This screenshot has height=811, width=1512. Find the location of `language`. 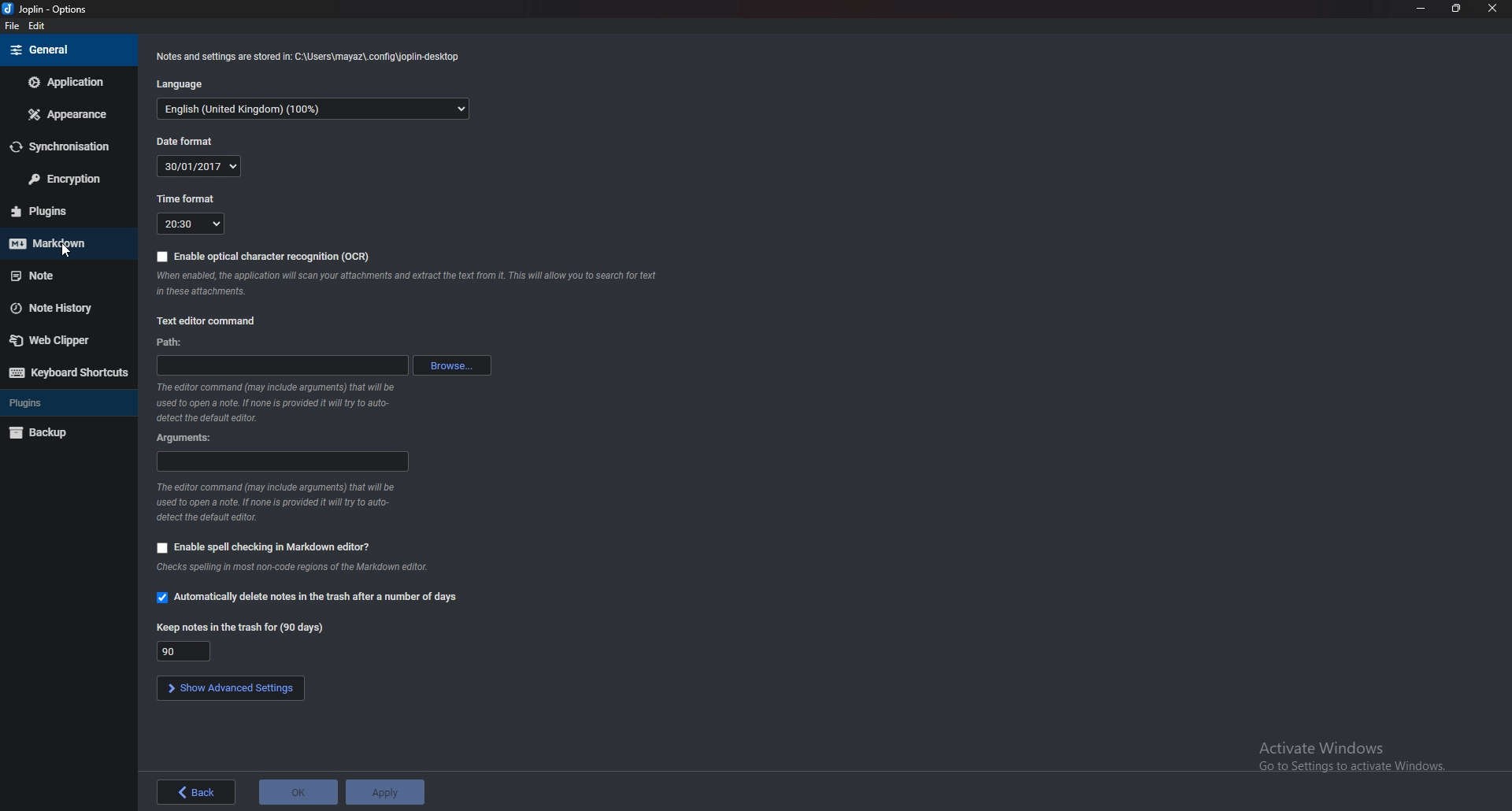

language is located at coordinates (315, 109).